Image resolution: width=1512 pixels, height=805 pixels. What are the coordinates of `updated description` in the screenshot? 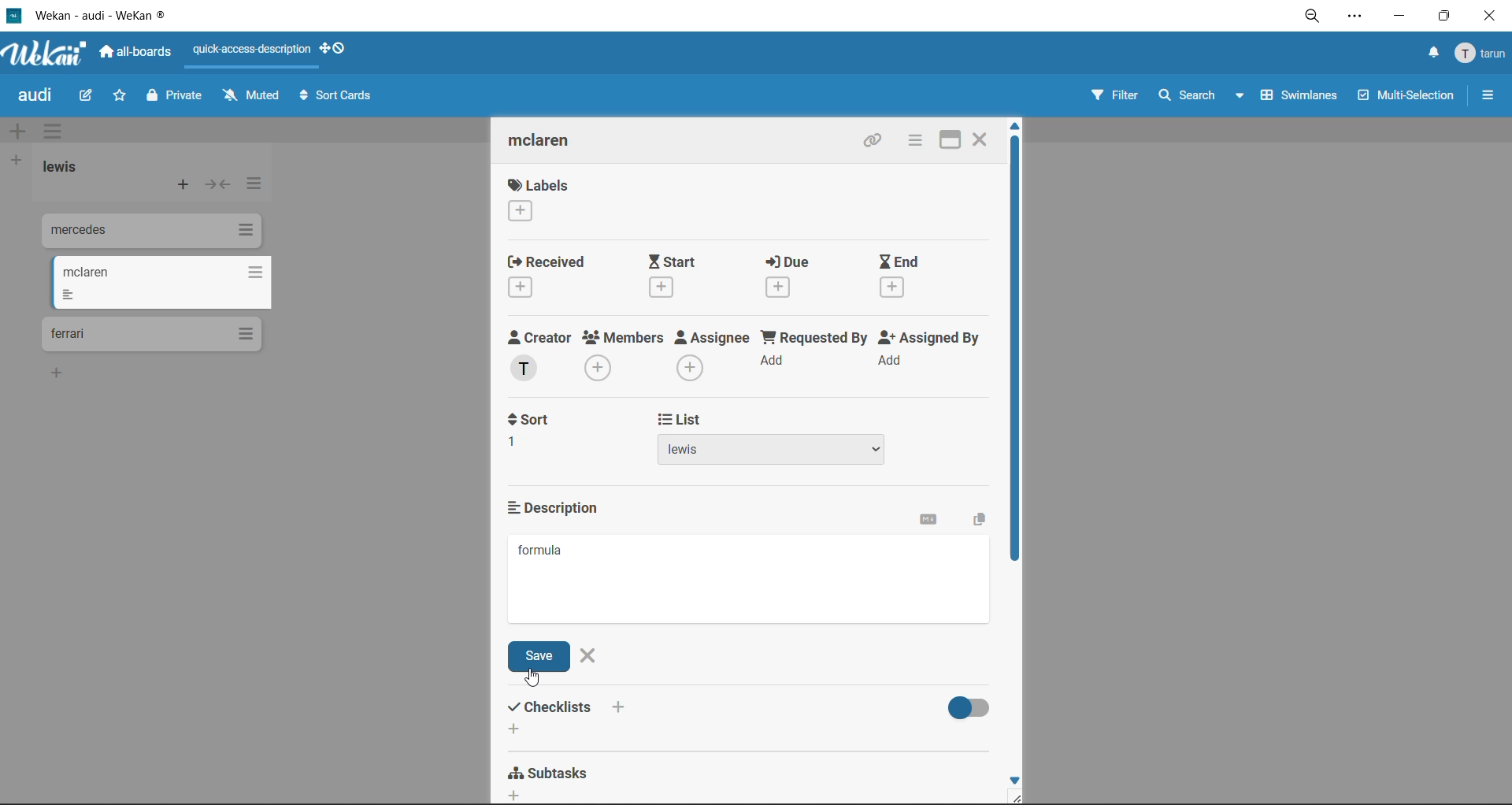 It's located at (542, 552).